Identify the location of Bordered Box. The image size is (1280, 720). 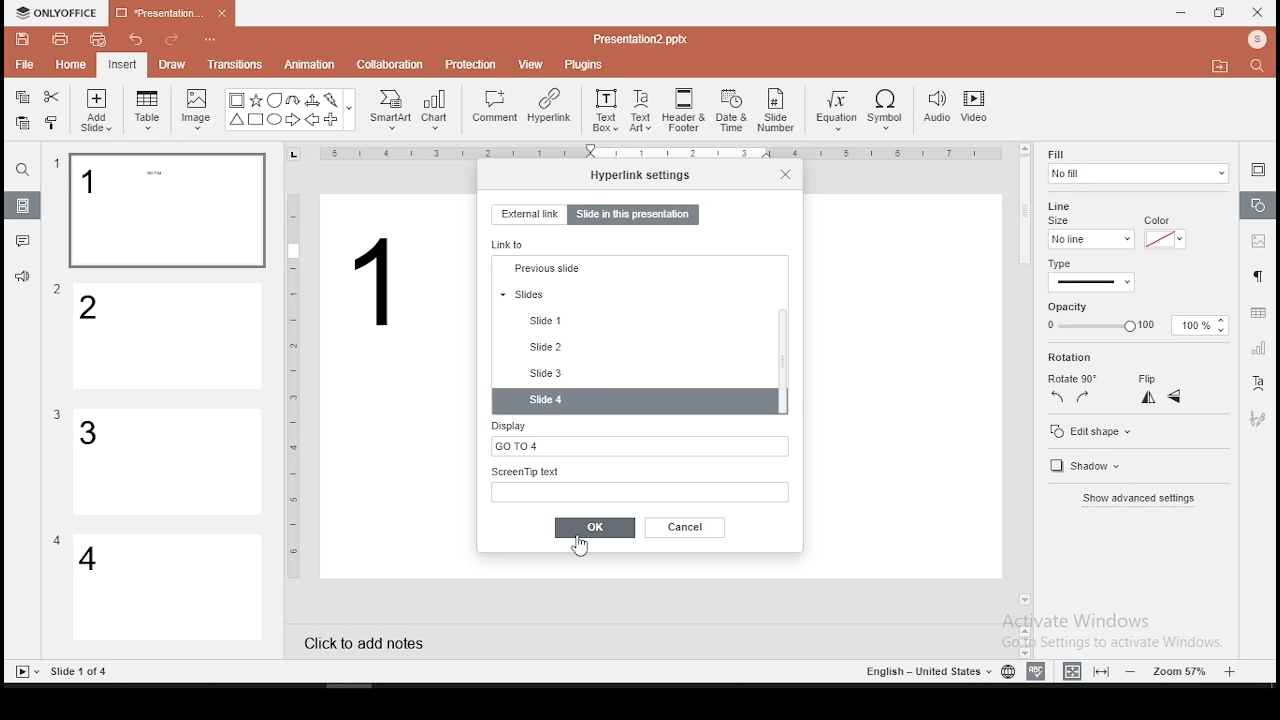
(237, 100).